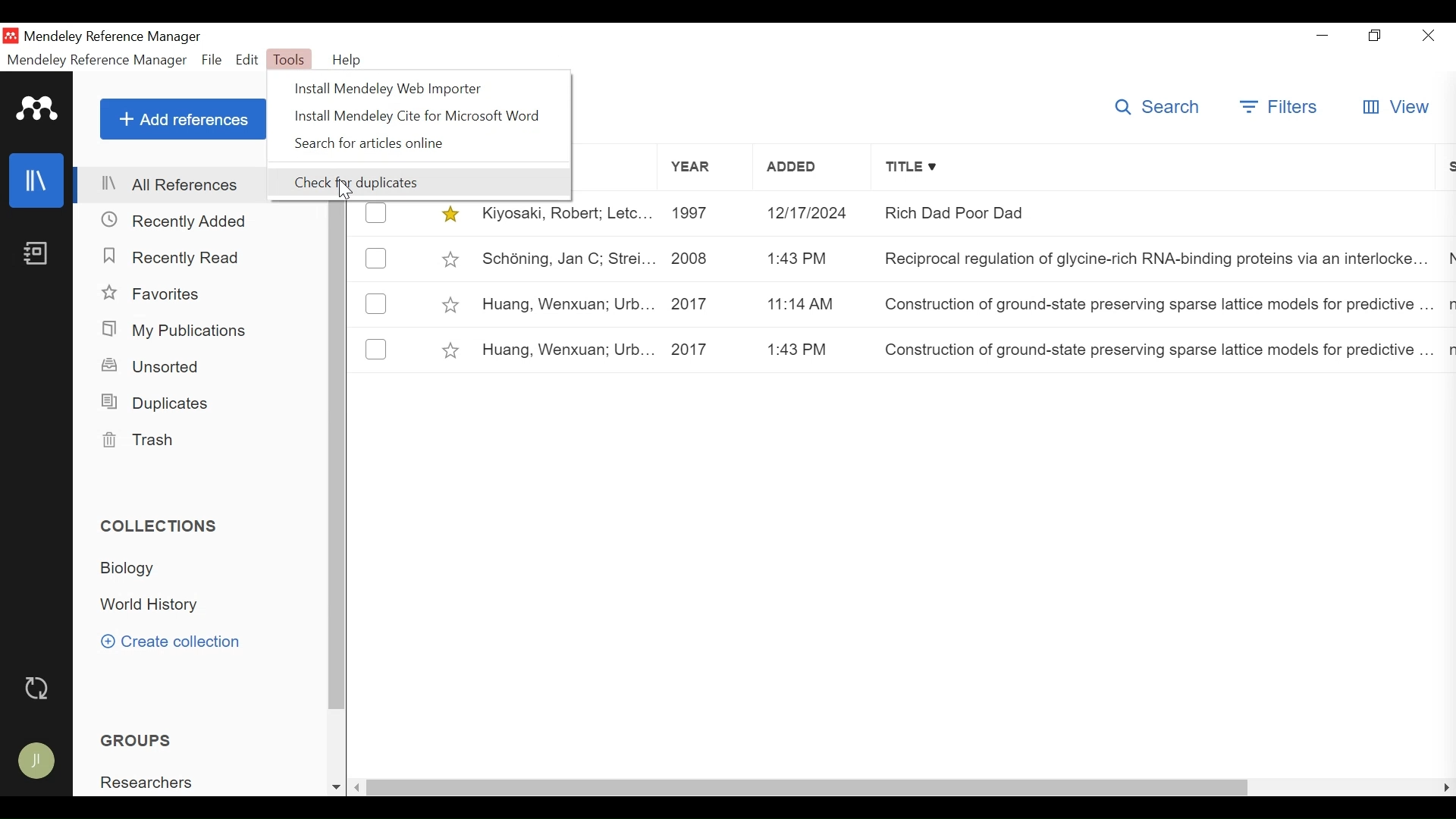 This screenshot has height=819, width=1456. Describe the element at coordinates (135, 439) in the screenshot. I see `Trash` at that location.